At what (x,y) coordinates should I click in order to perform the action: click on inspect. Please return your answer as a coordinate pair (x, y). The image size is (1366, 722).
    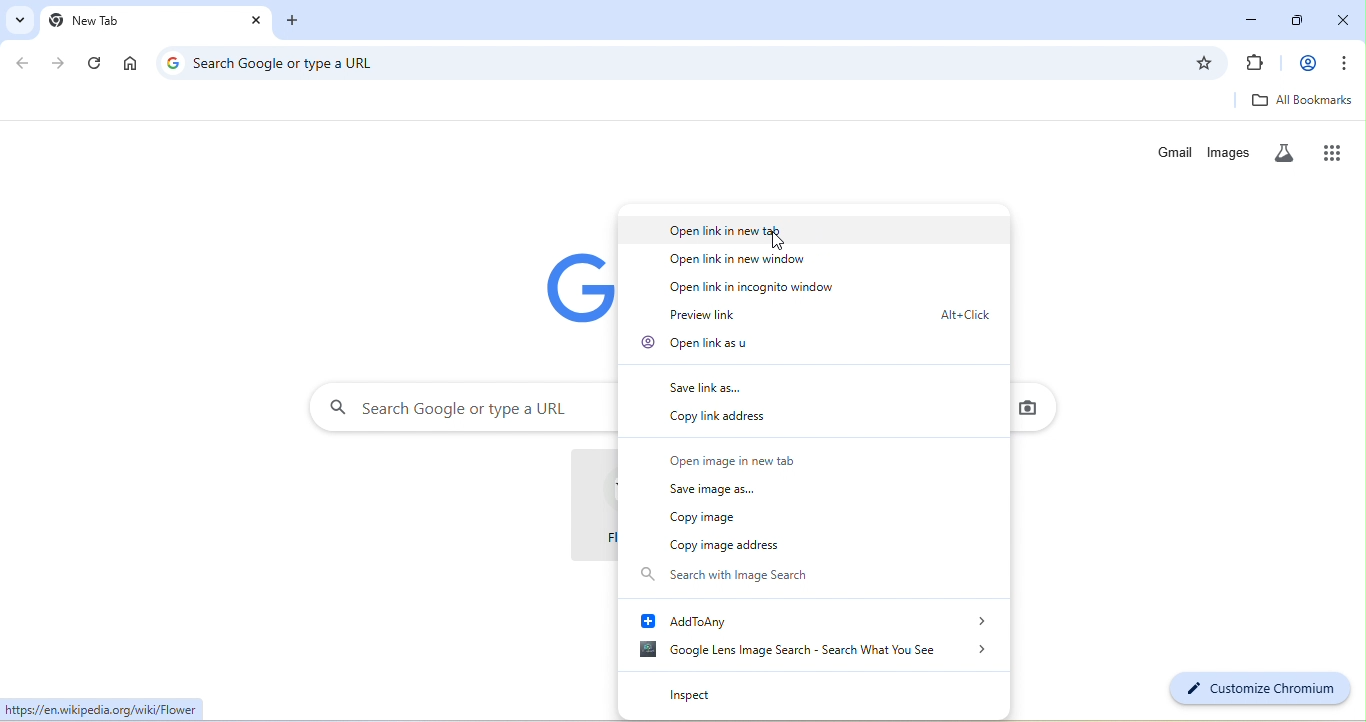
    Looking at the image, I should click on (729, 693).